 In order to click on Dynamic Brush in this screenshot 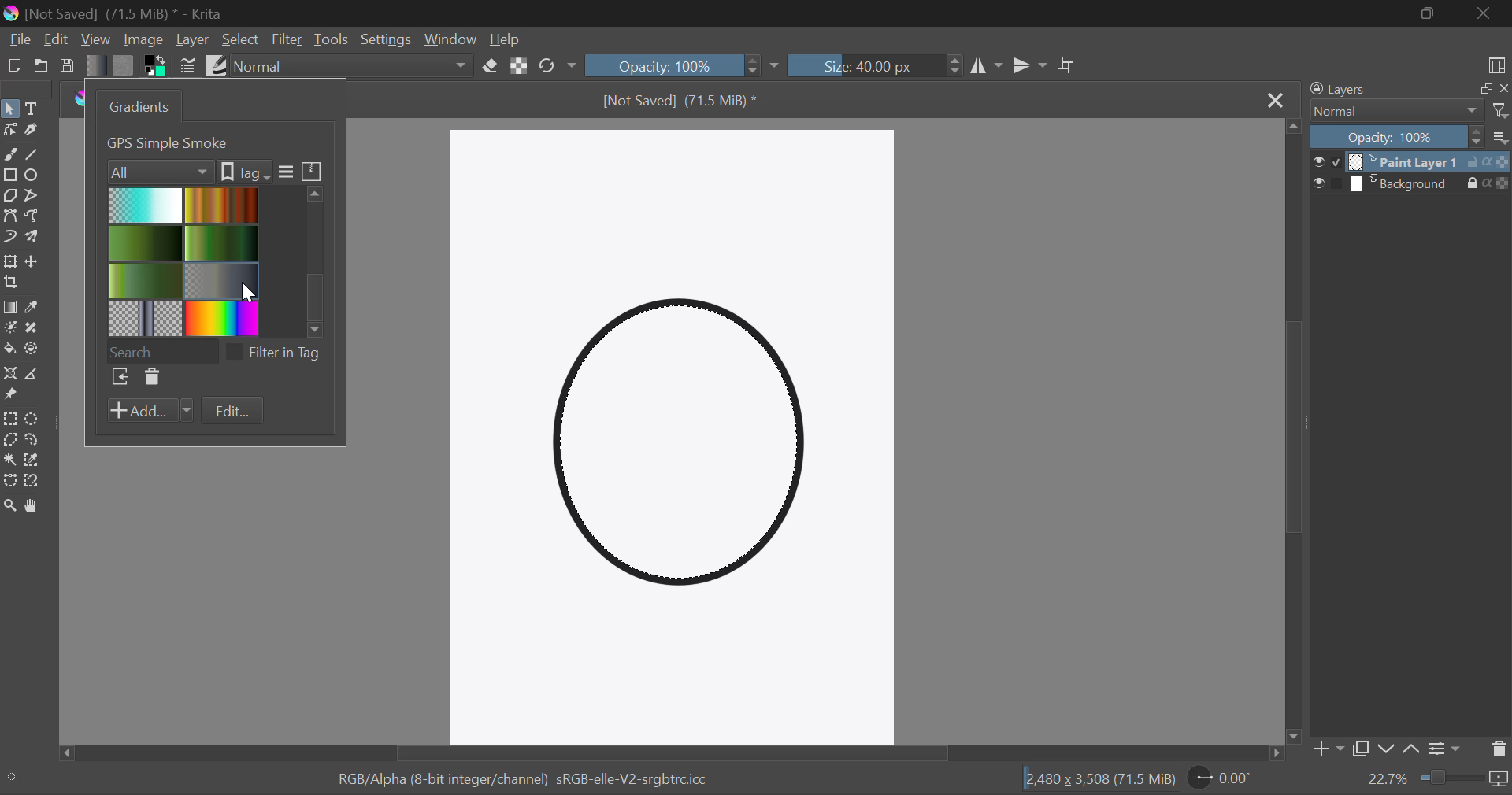, I will do `click(10, 238)`.